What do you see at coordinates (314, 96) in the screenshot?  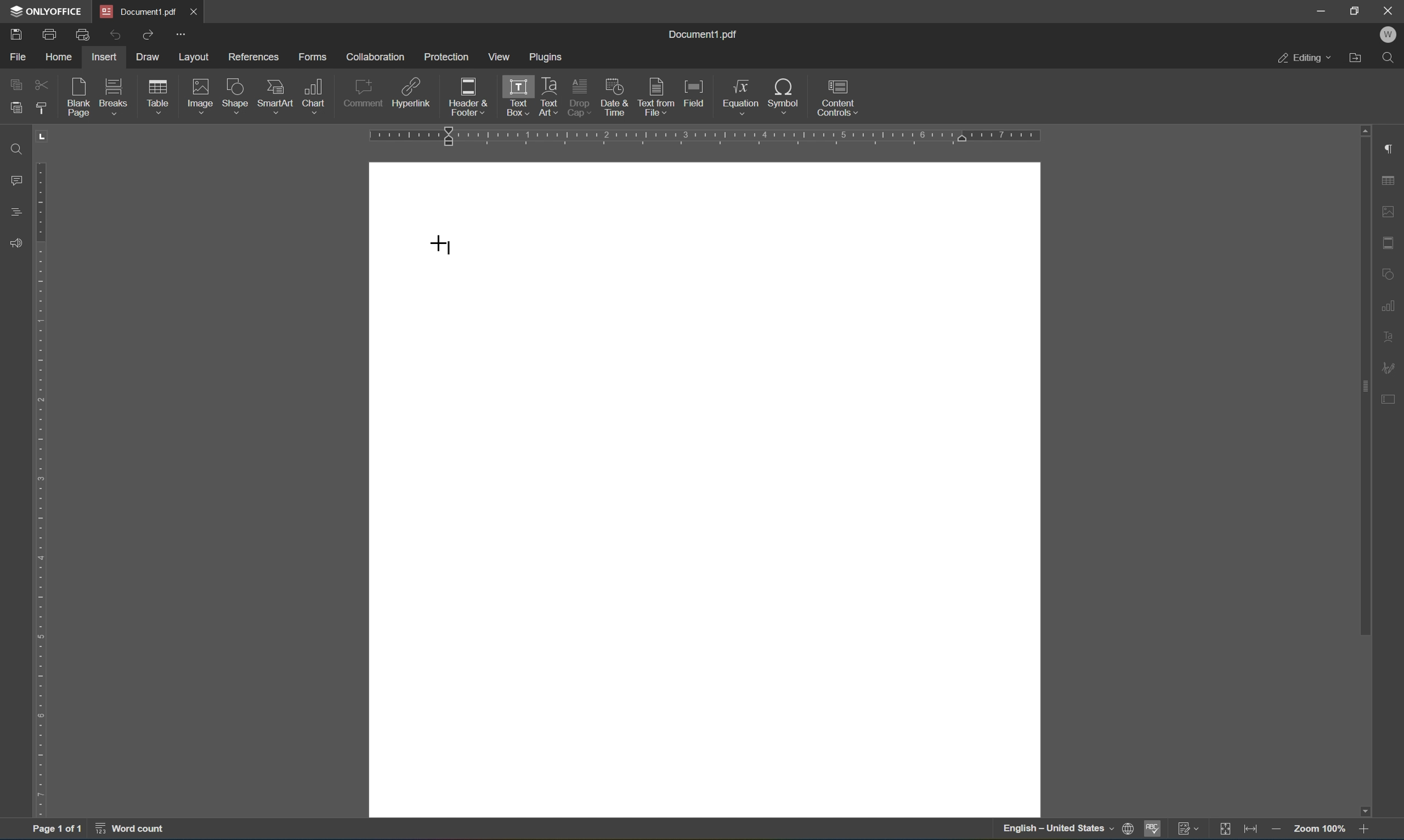 I see `chart` at bounding box center [314, 96].